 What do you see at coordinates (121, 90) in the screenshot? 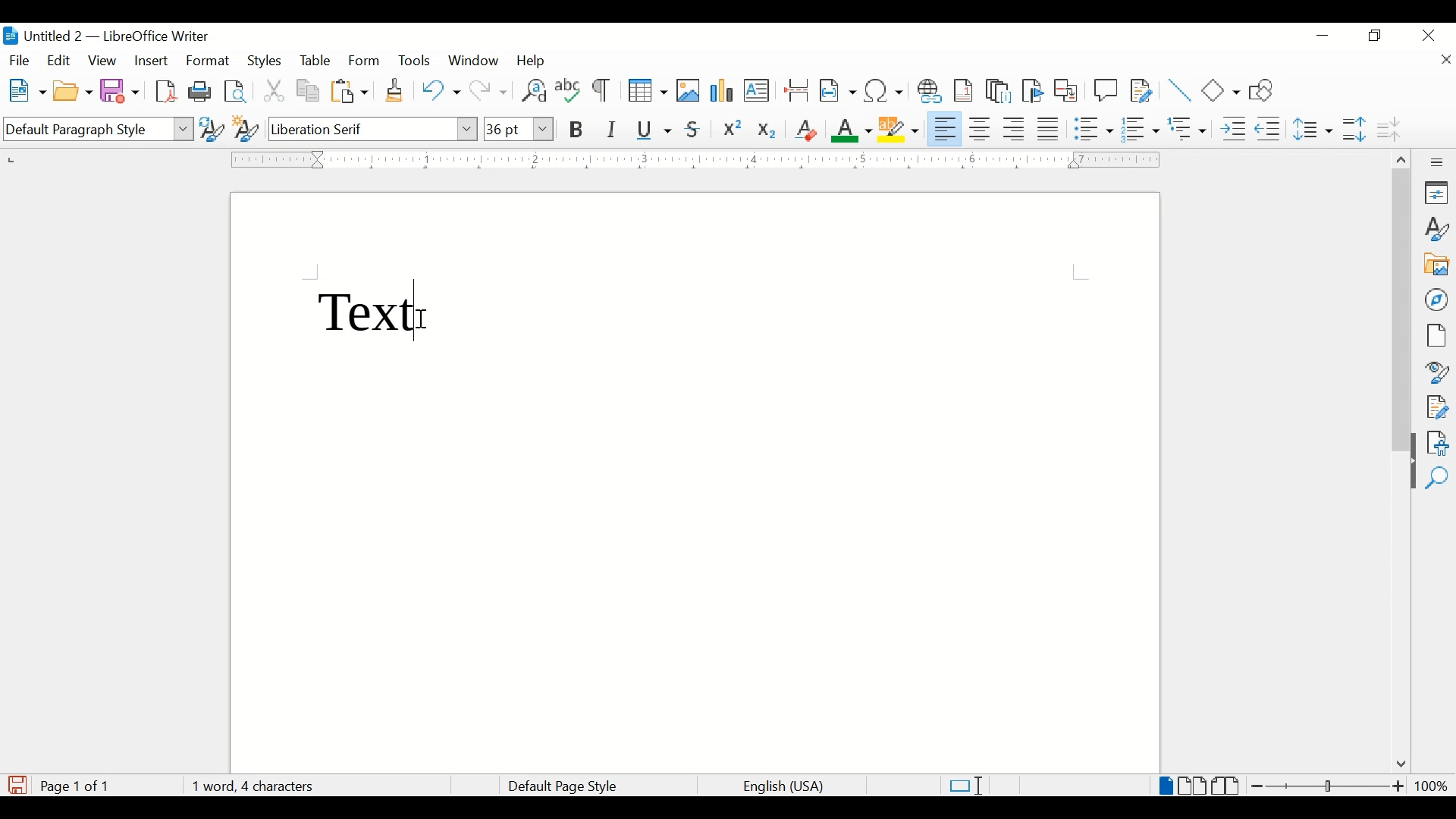
I see `save ` at bounding box center [121, 90].